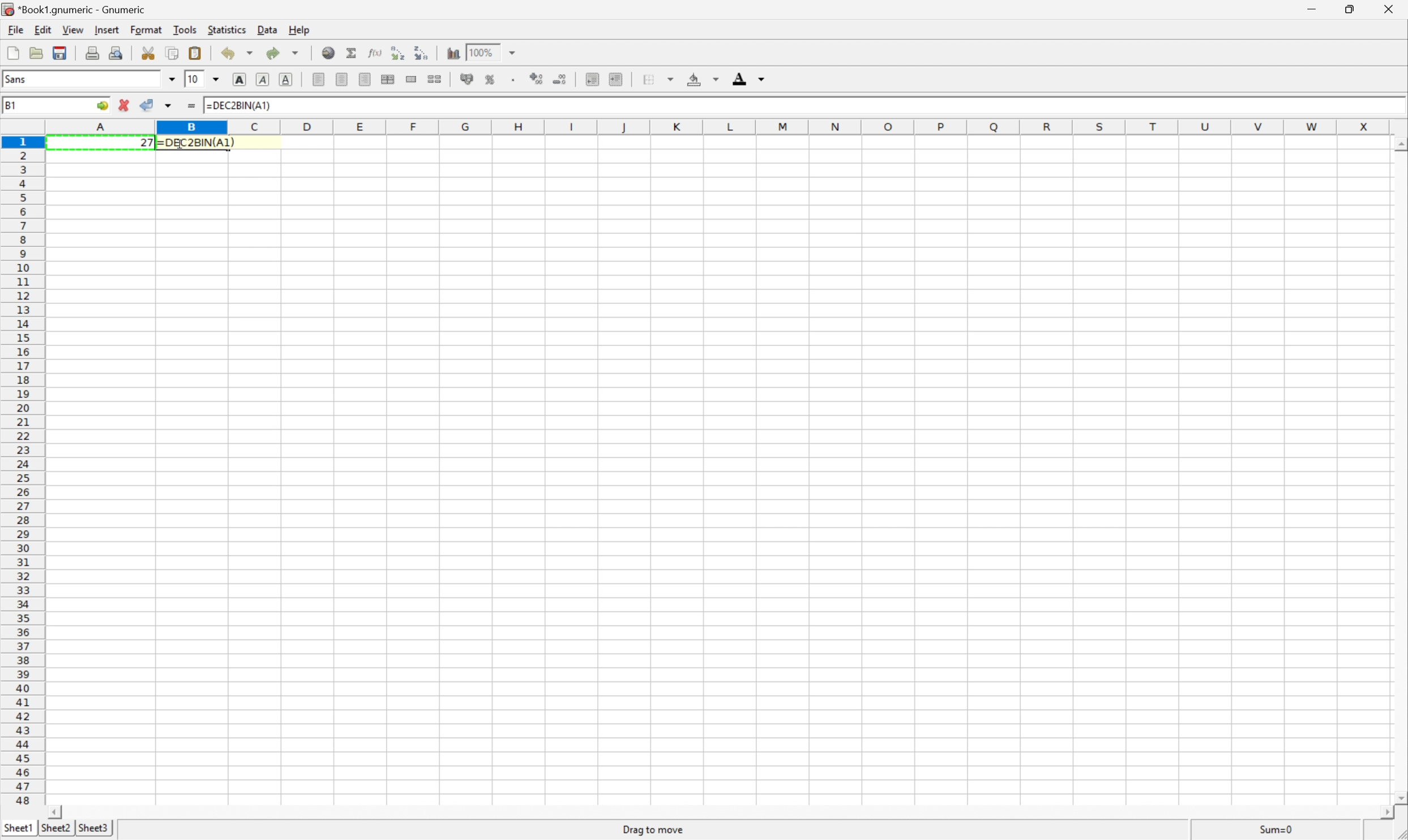 This screenshot has width=1408, height=840. Describe the element at coordinates (1348, 10) in the screenshot. I see `Restore Down` at that location.